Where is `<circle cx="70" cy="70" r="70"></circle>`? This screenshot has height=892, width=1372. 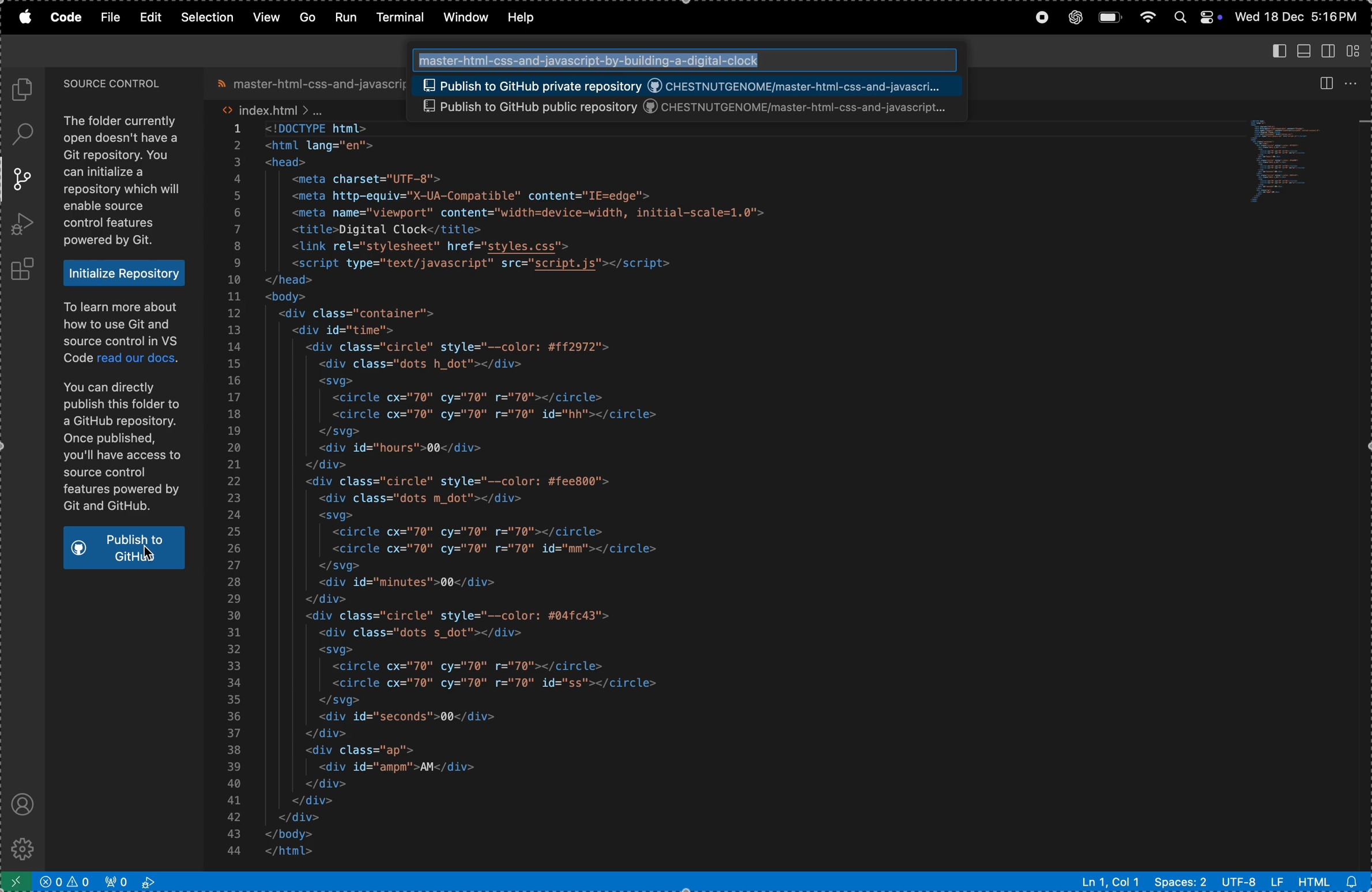 <circle cx="70" cy="70" r="70"></circle> is located at coordinates (480, 532).